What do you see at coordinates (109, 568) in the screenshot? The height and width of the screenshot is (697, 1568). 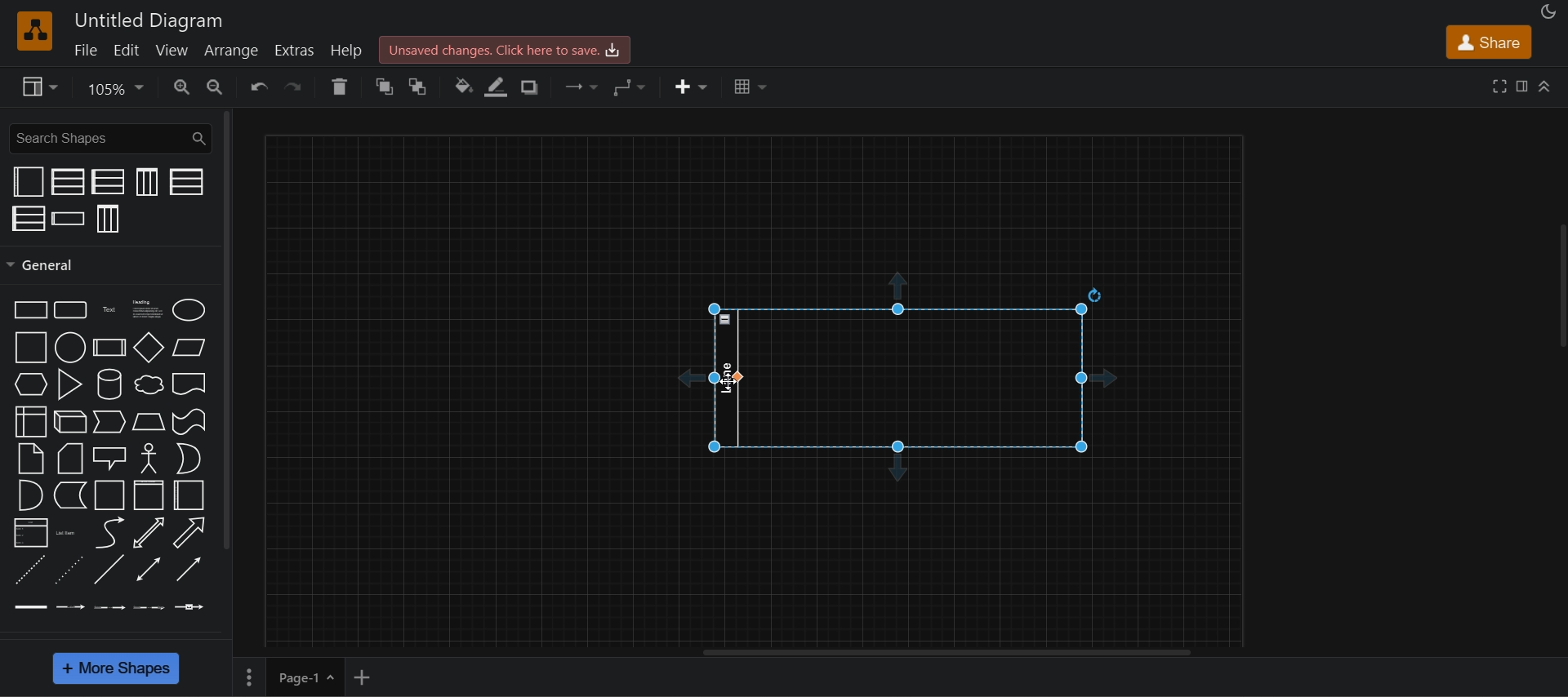 I see `line` at bounding box center [109, 568].